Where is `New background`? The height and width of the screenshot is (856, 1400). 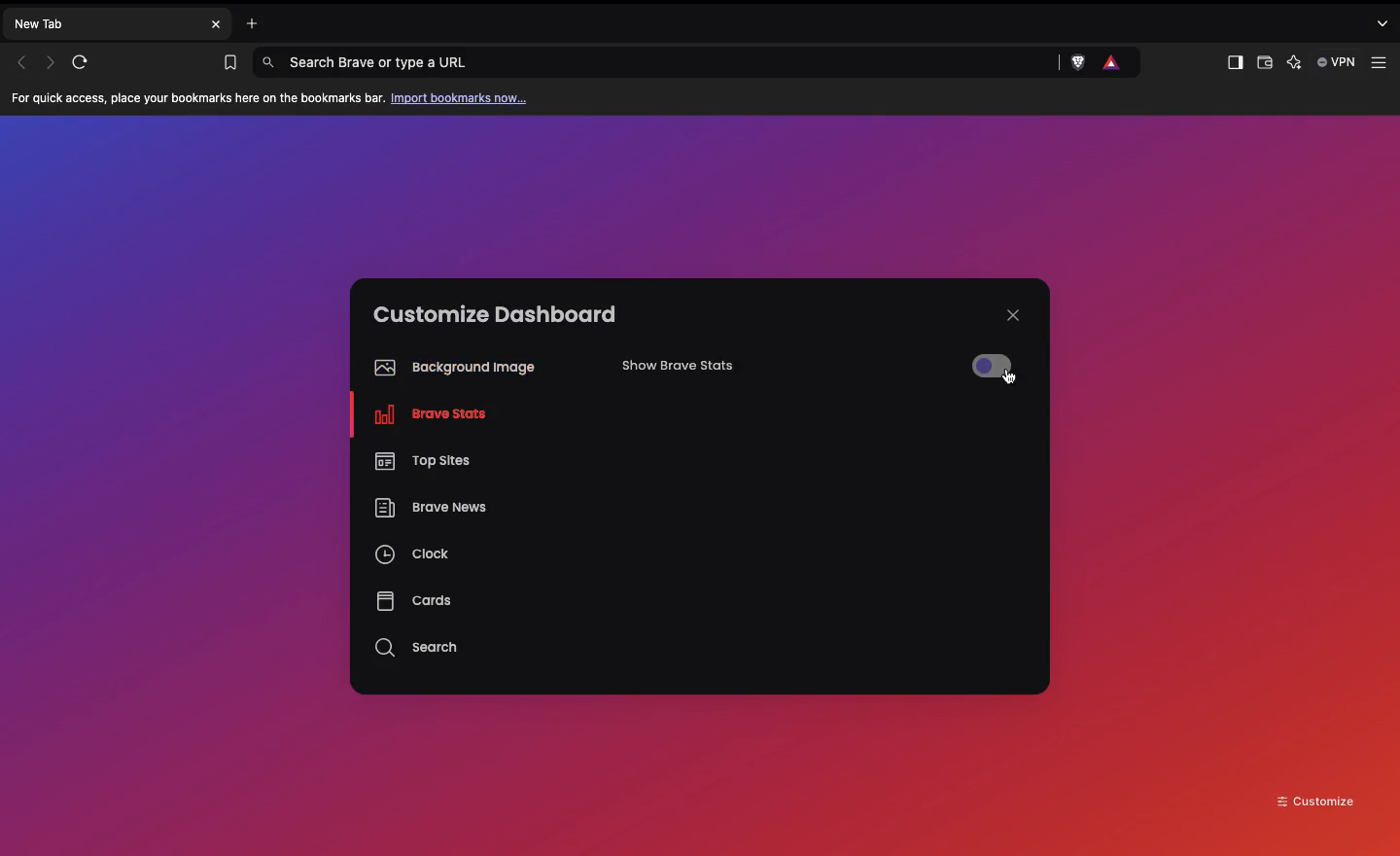
New background is located at coordinates (700, 195).